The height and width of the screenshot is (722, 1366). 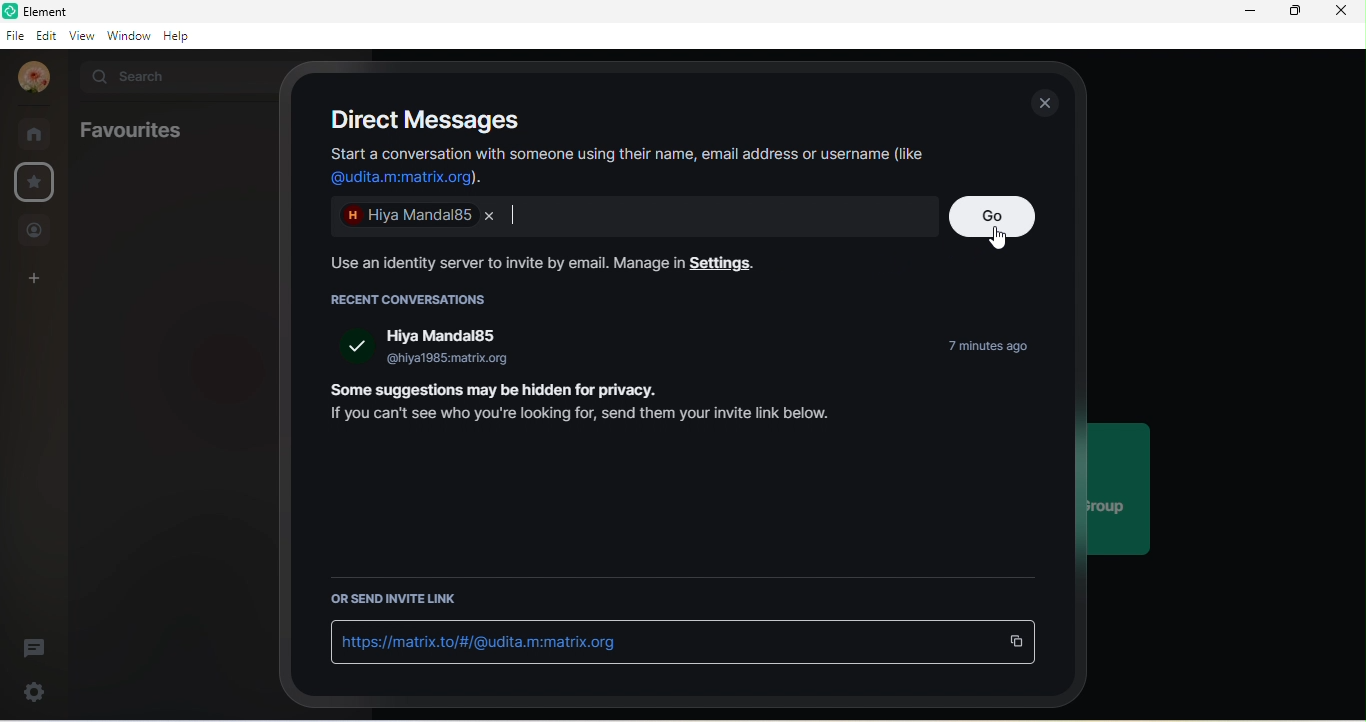 I want to click on view, so click(x=82, y=35).